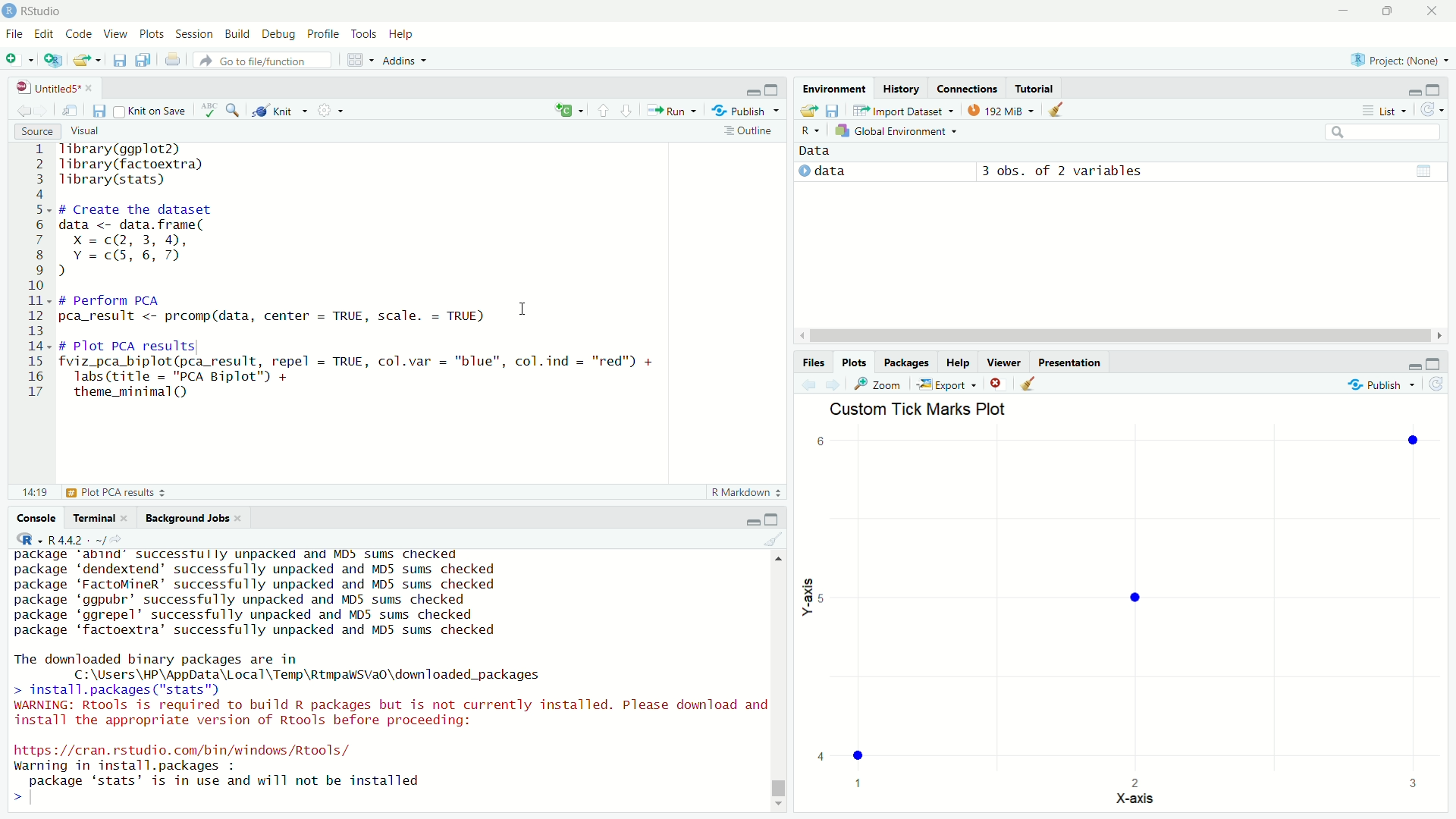 The image size is (1456, 819). I want to click on Logo, so click(10, 11).